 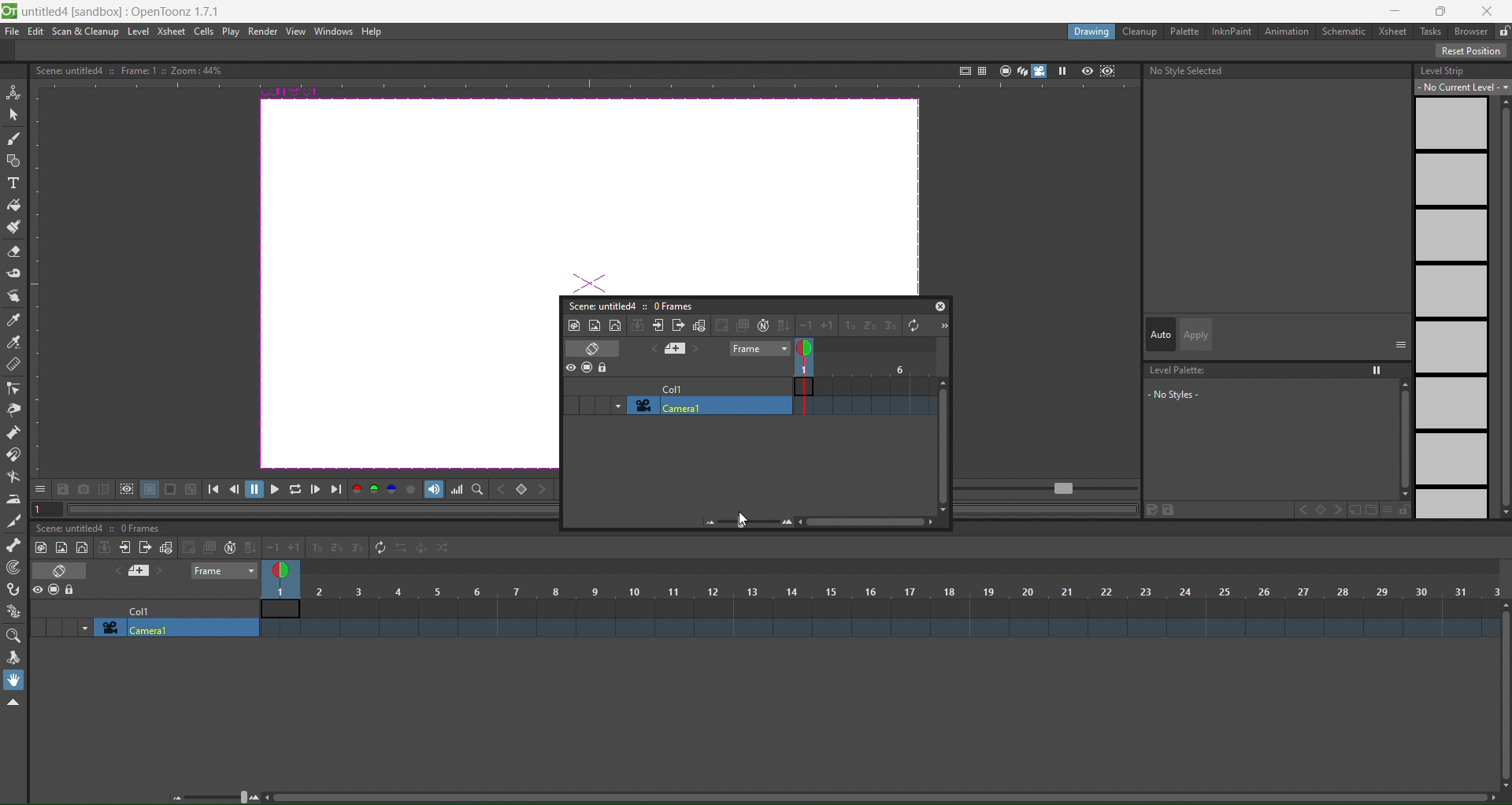 I want to click on pinch tool, so click(x=13, y=410).